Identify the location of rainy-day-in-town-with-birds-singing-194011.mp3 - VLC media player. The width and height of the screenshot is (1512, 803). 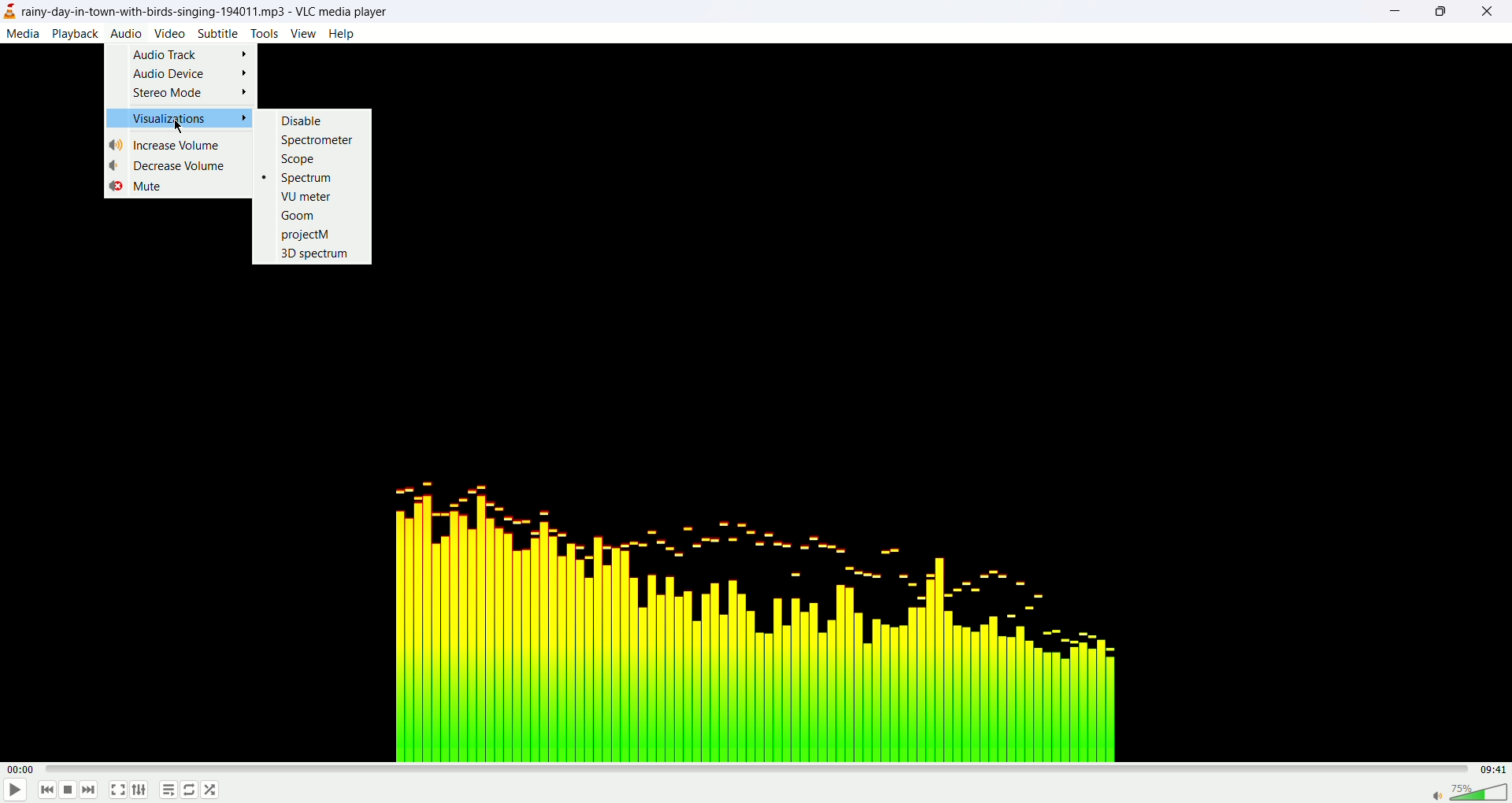
(215, 10).